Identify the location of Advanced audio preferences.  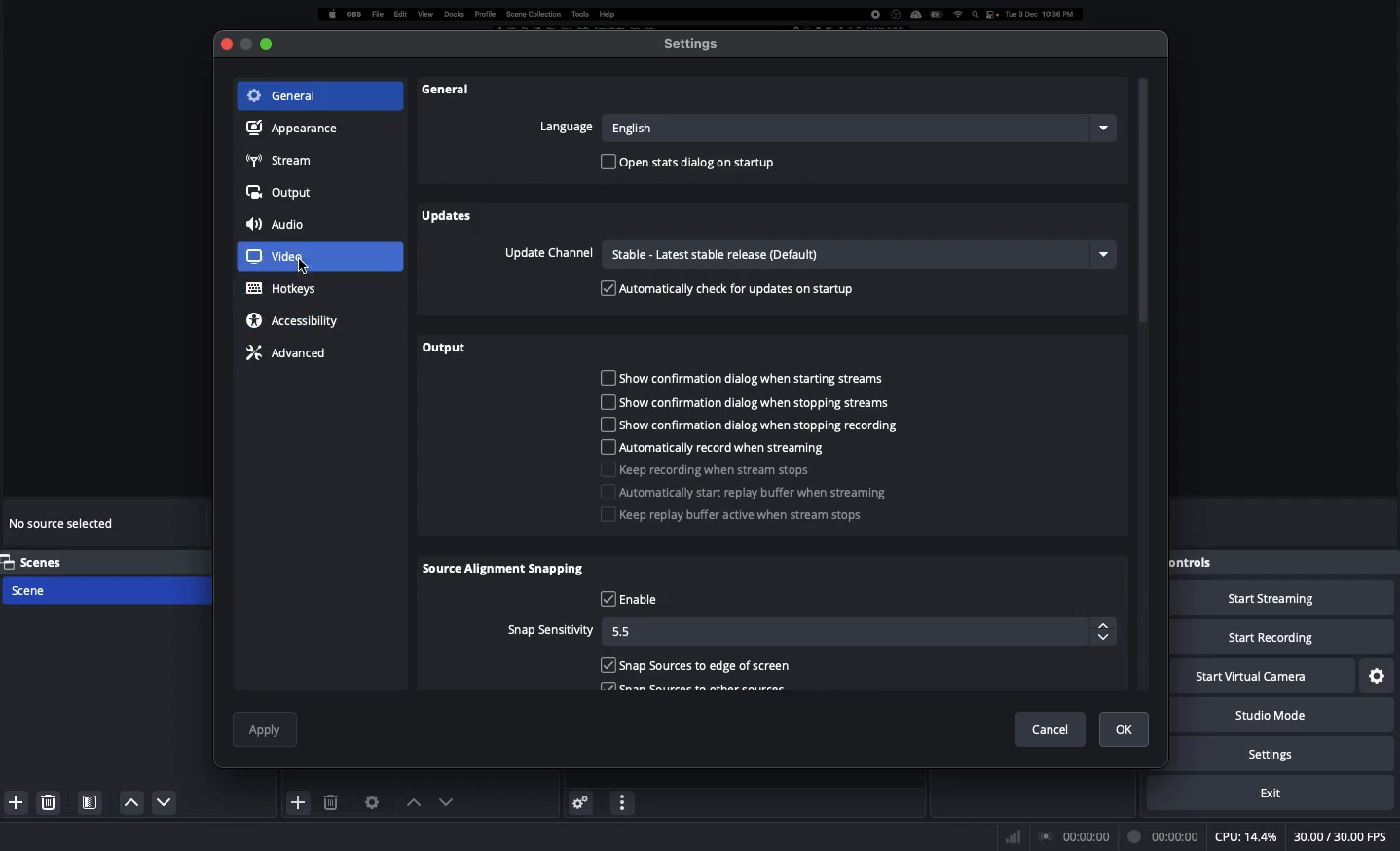
(580, 801).